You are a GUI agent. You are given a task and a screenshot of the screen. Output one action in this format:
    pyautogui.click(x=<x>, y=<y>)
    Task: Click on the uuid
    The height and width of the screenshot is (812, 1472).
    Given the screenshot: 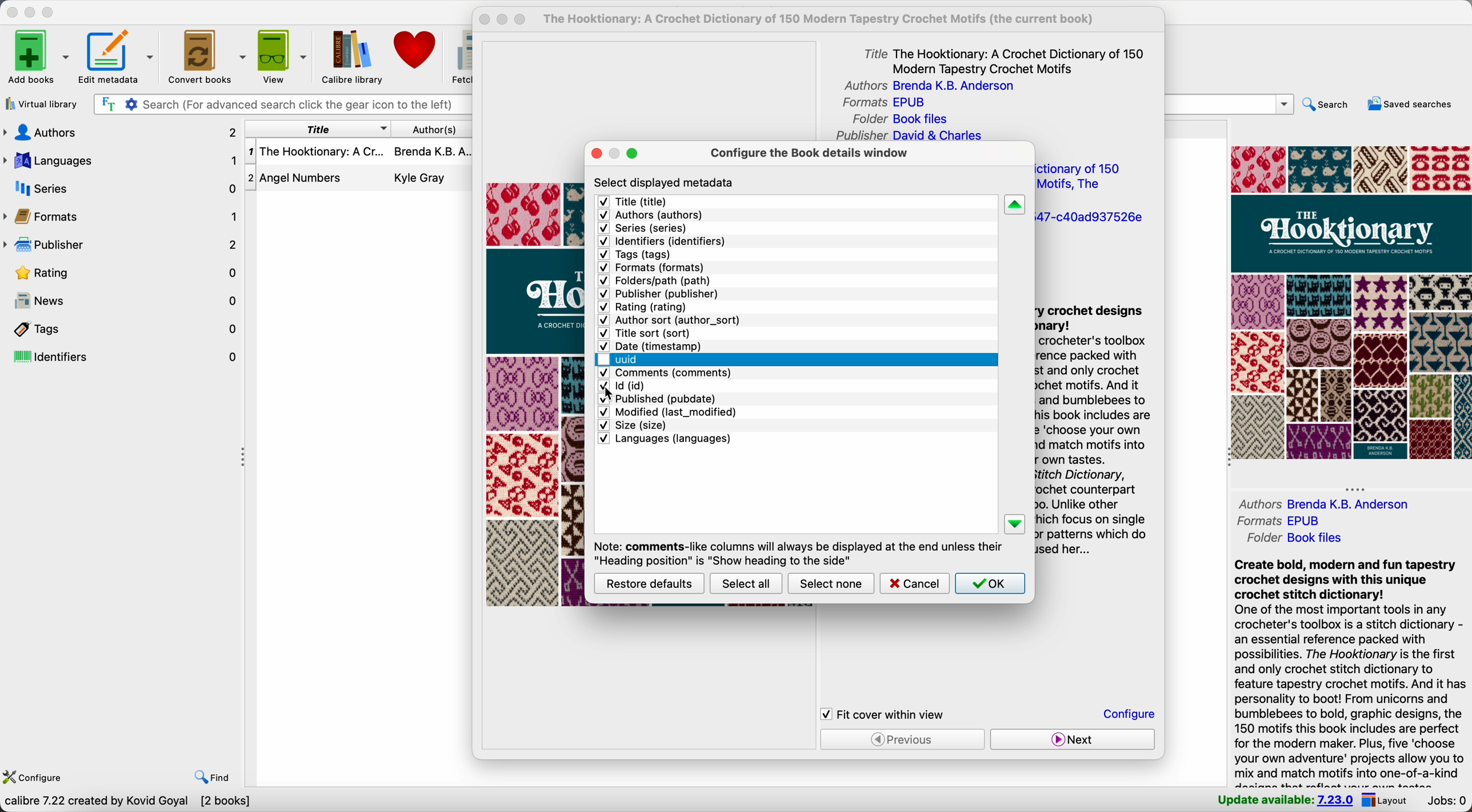 What is the action you would take?
    pyautogui.click(x=1089, y=218)
    